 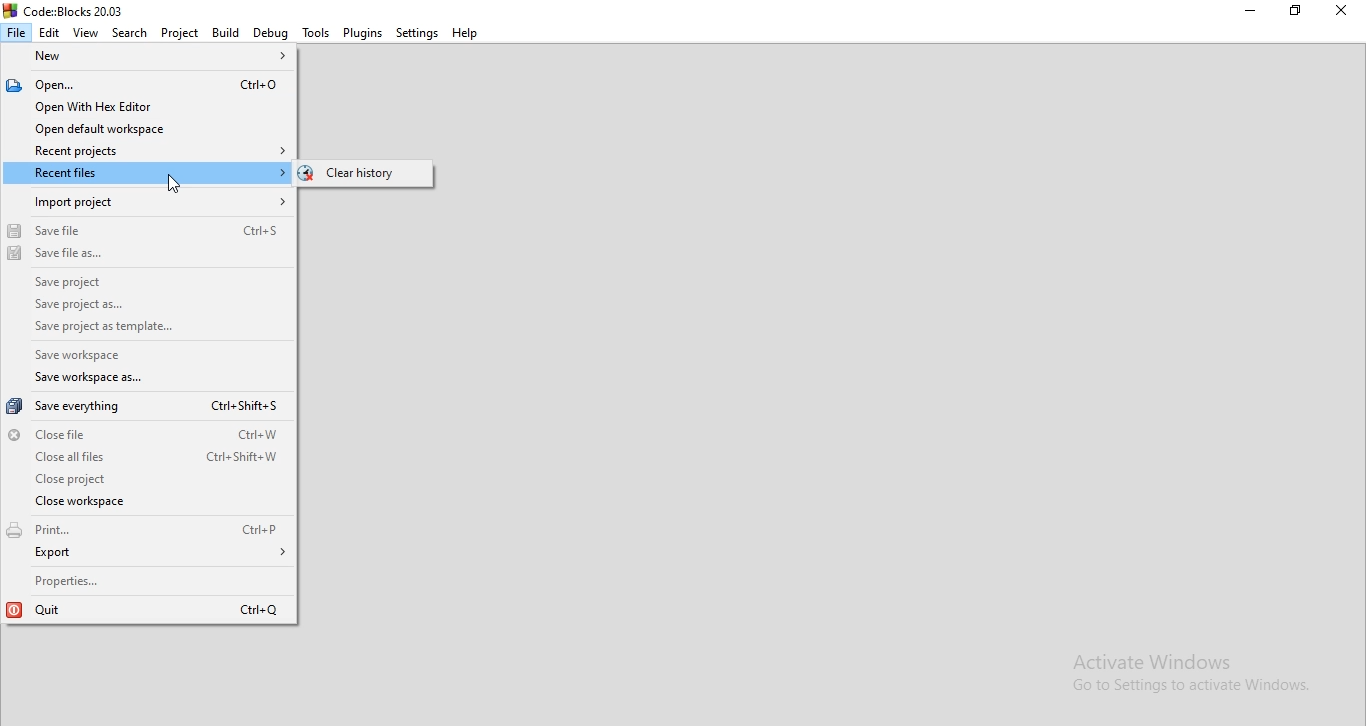 What do you see at coordinates (147, 504) in the screenshot?
I see `Close workspace` at bounding box center [147, 504].